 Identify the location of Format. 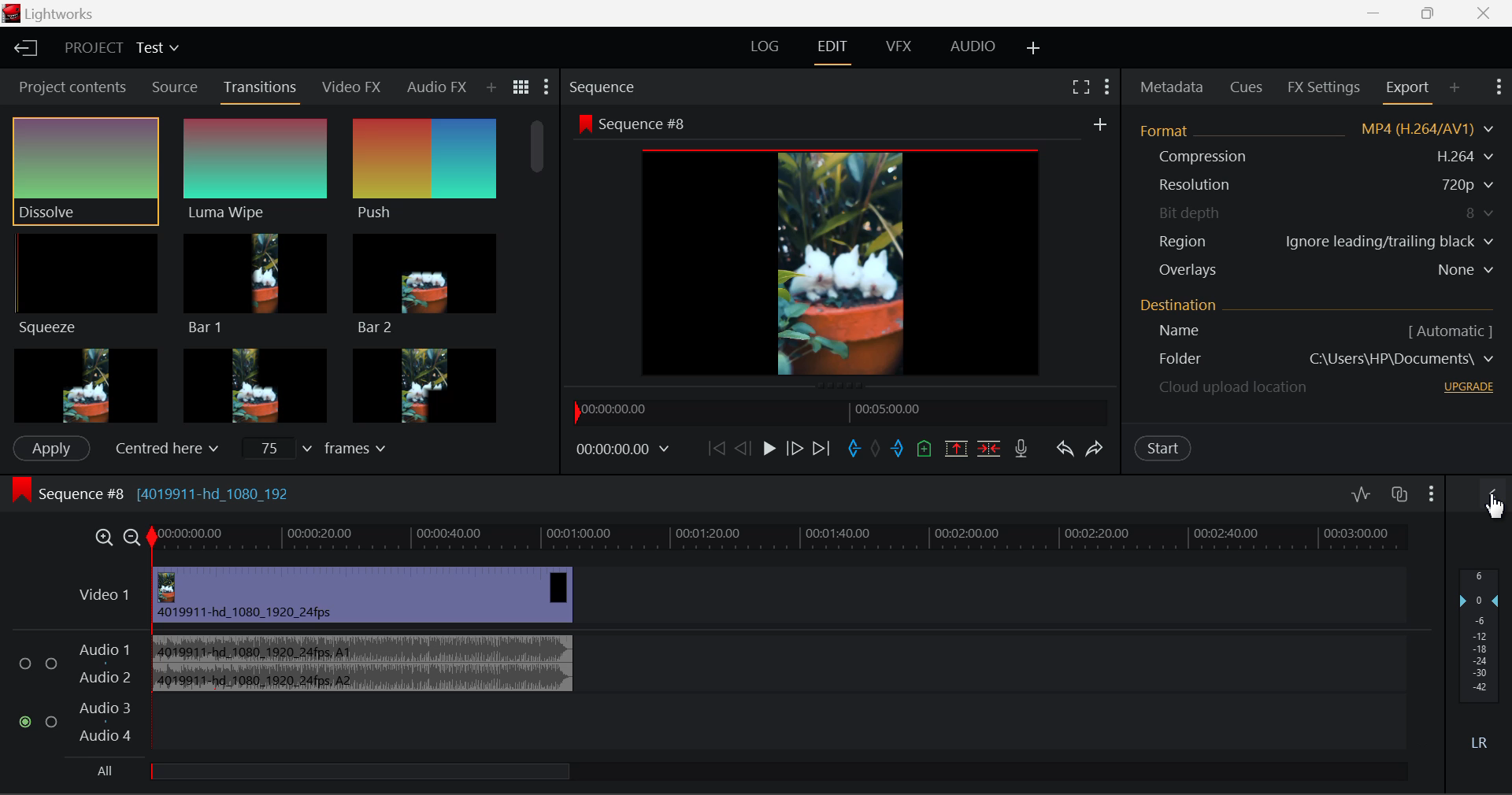
(1315, 131).